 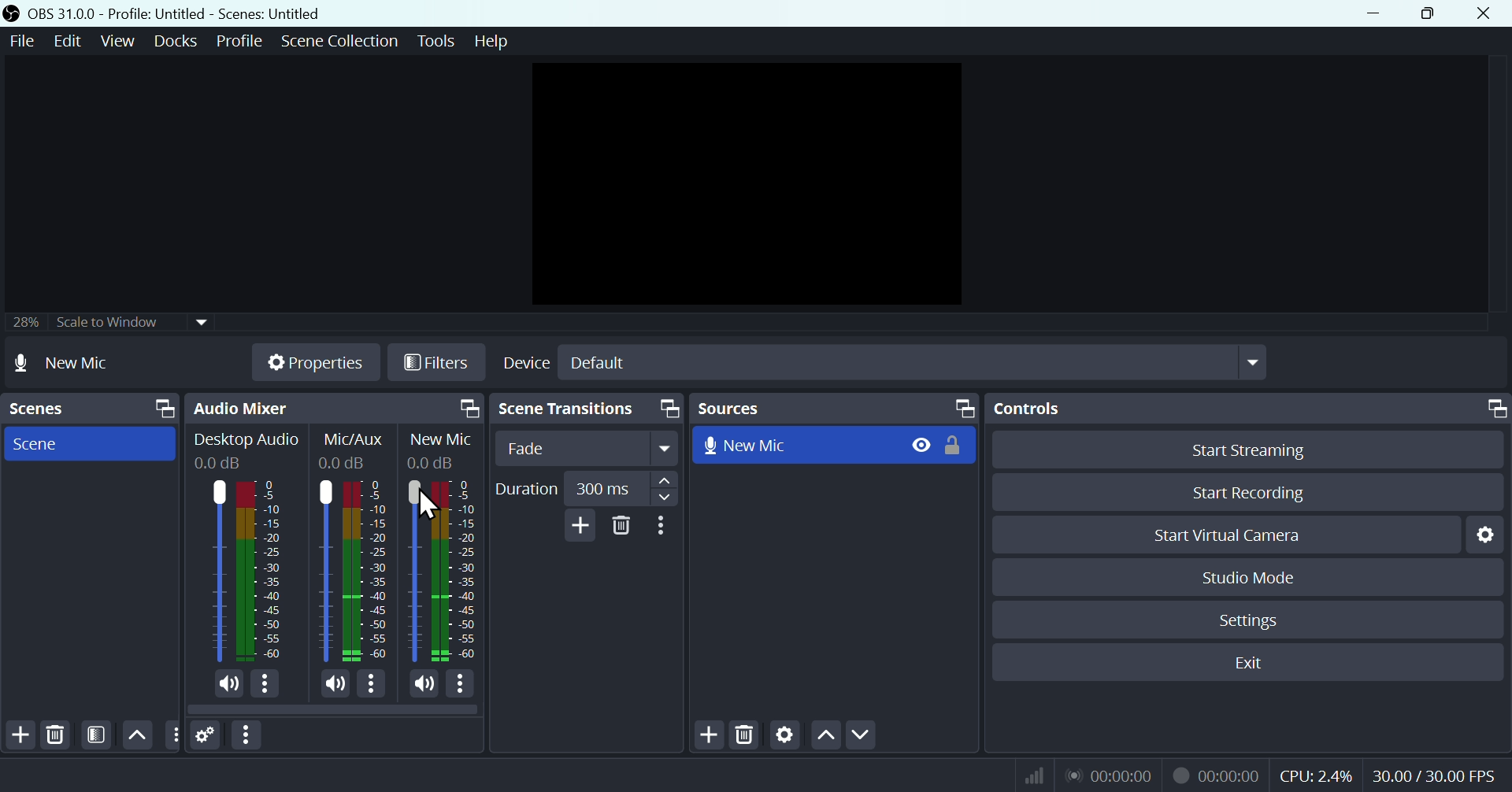 What do you see at coordinates (372, 687) in the screenshot?
I see `More options` at bounding box center [372, 687].